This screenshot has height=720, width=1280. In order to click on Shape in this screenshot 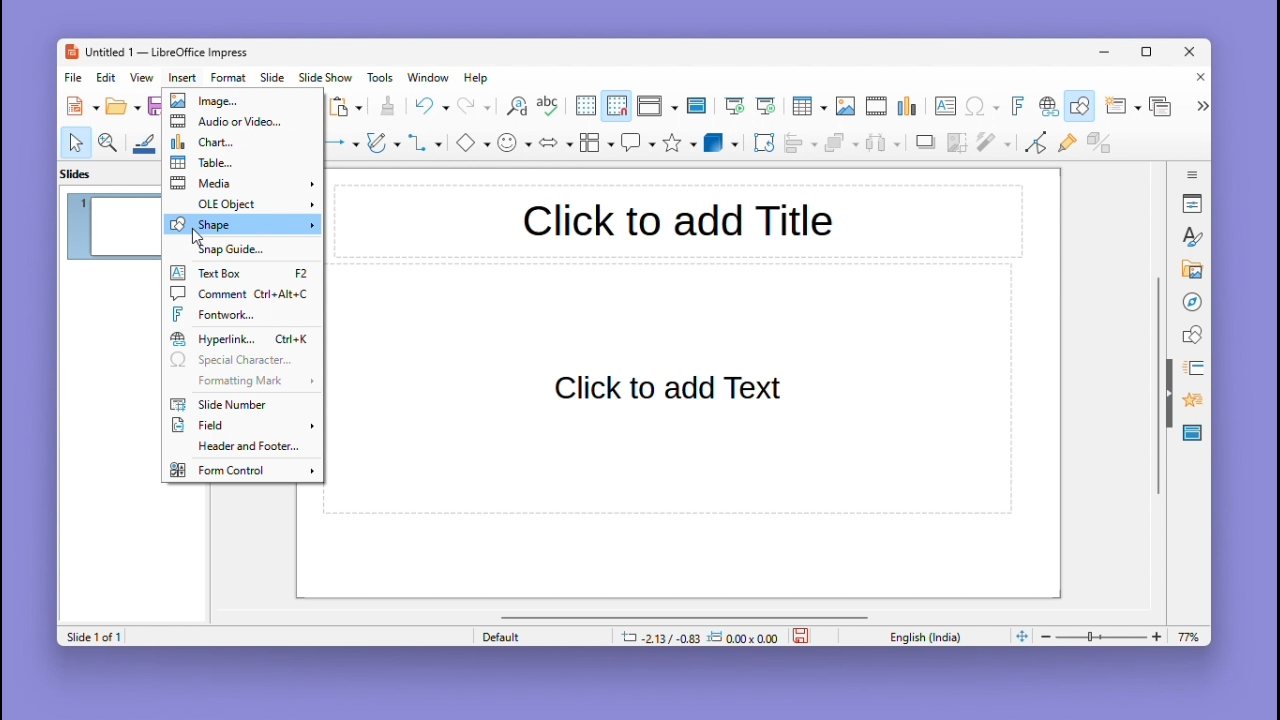, I will do `click(242, 224)`.